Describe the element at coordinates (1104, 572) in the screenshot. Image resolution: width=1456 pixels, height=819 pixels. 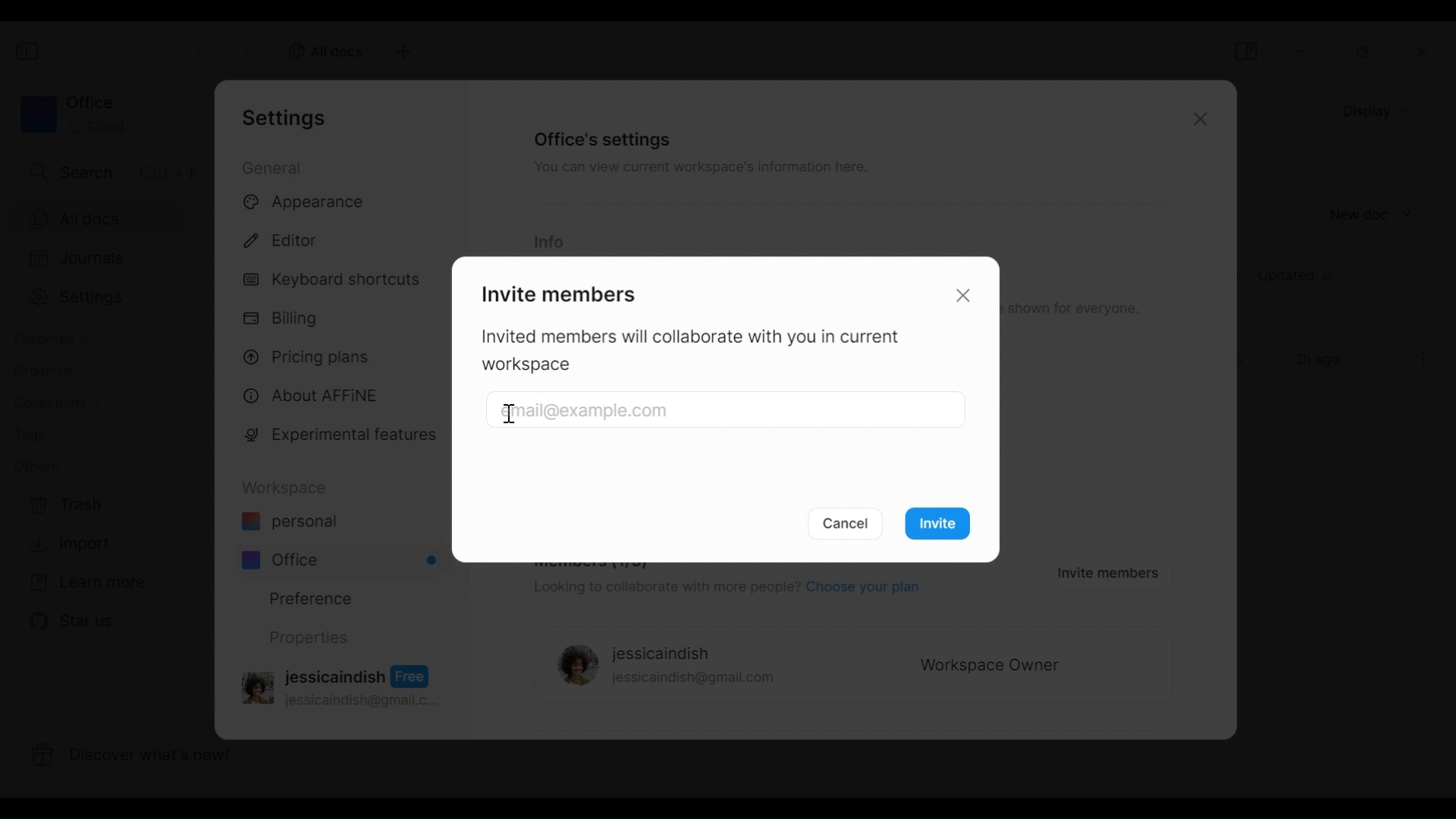
I see `Invite members` at that location.